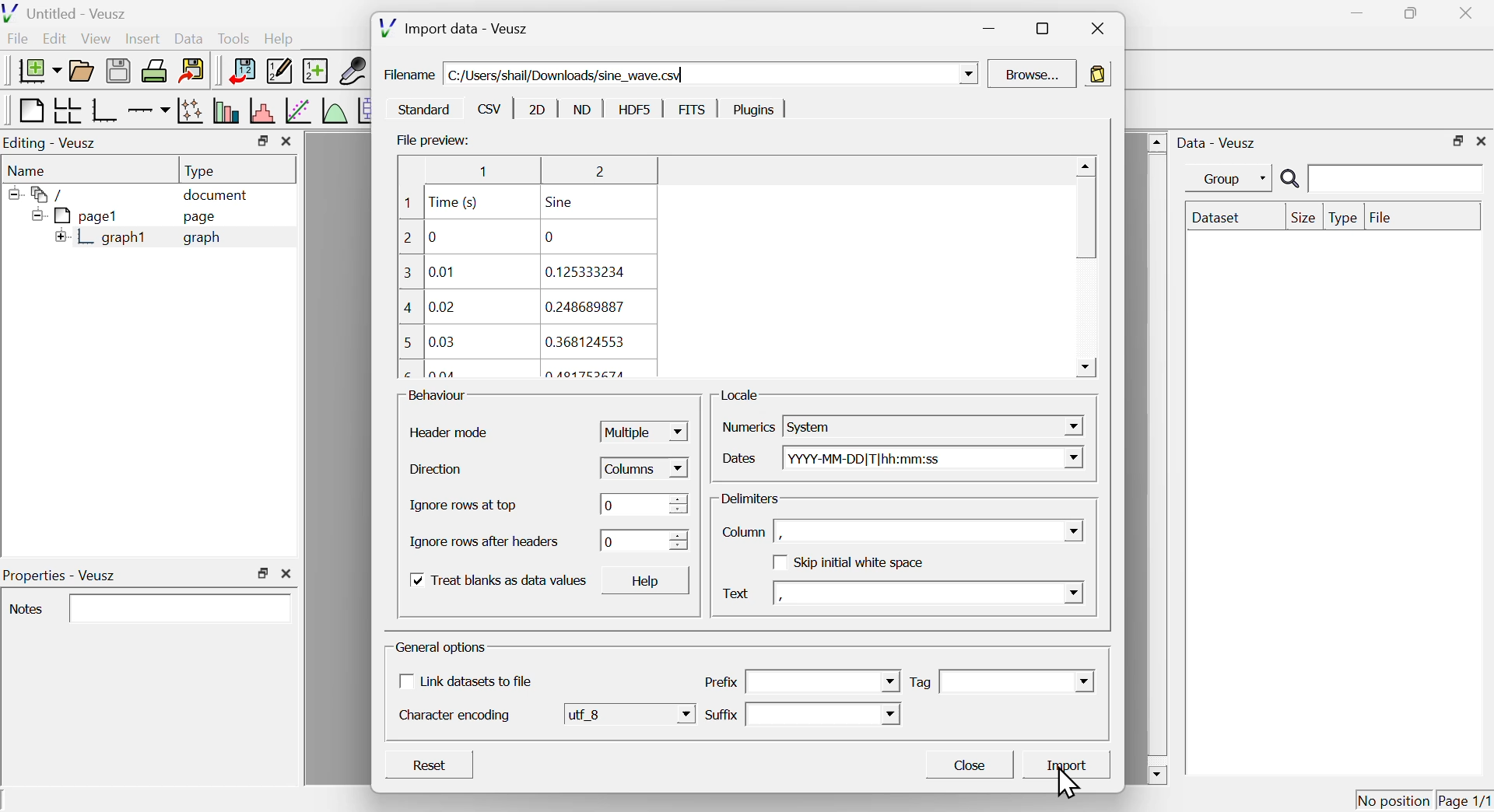 The height and width of the screenshot is (812, 1494). What do you see at coordinates (740, 459) in the screenshot?
I see `Dates` at bounding box center [740, 459].